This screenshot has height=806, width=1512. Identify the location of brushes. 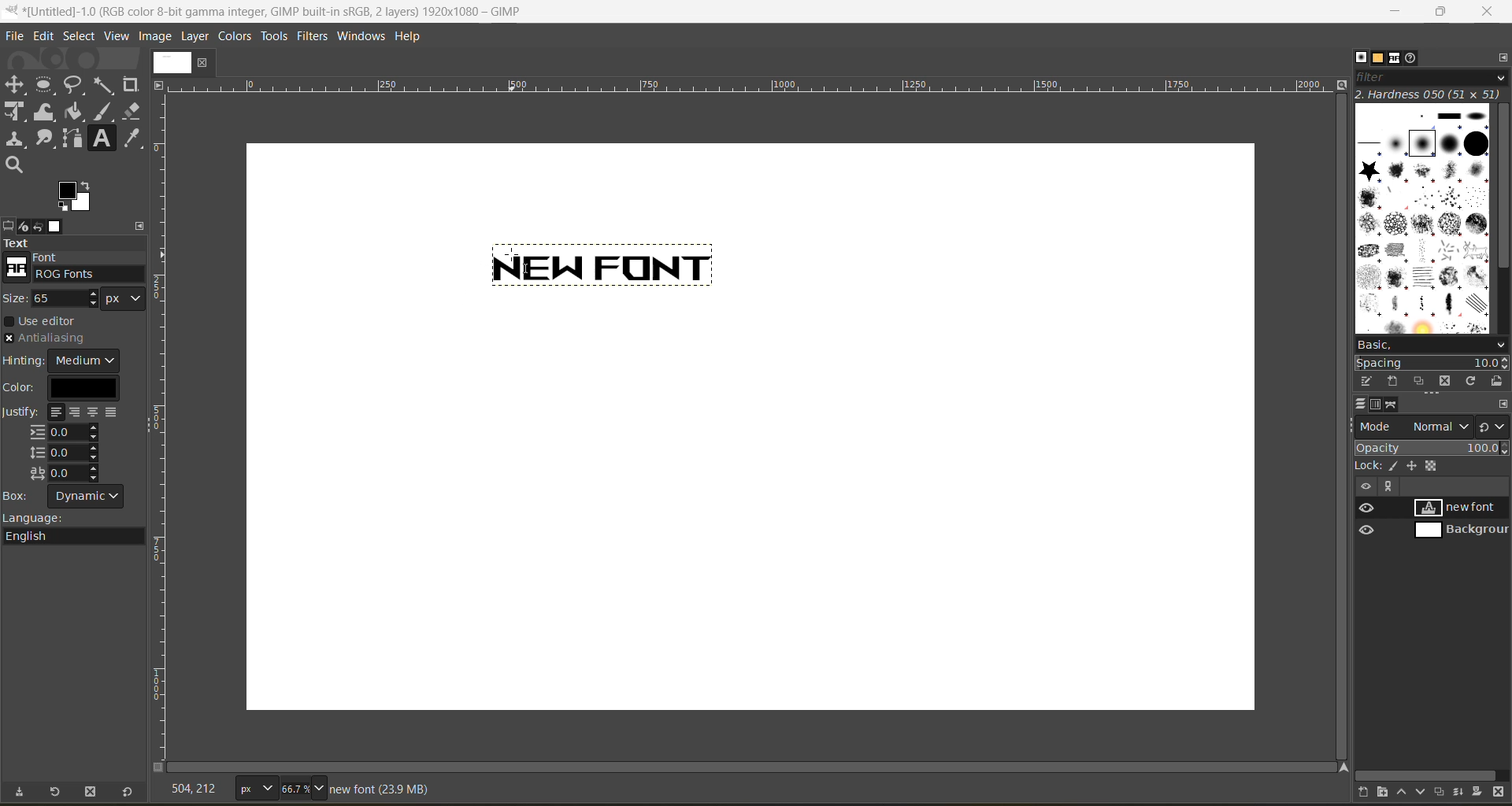
(1421, 221).